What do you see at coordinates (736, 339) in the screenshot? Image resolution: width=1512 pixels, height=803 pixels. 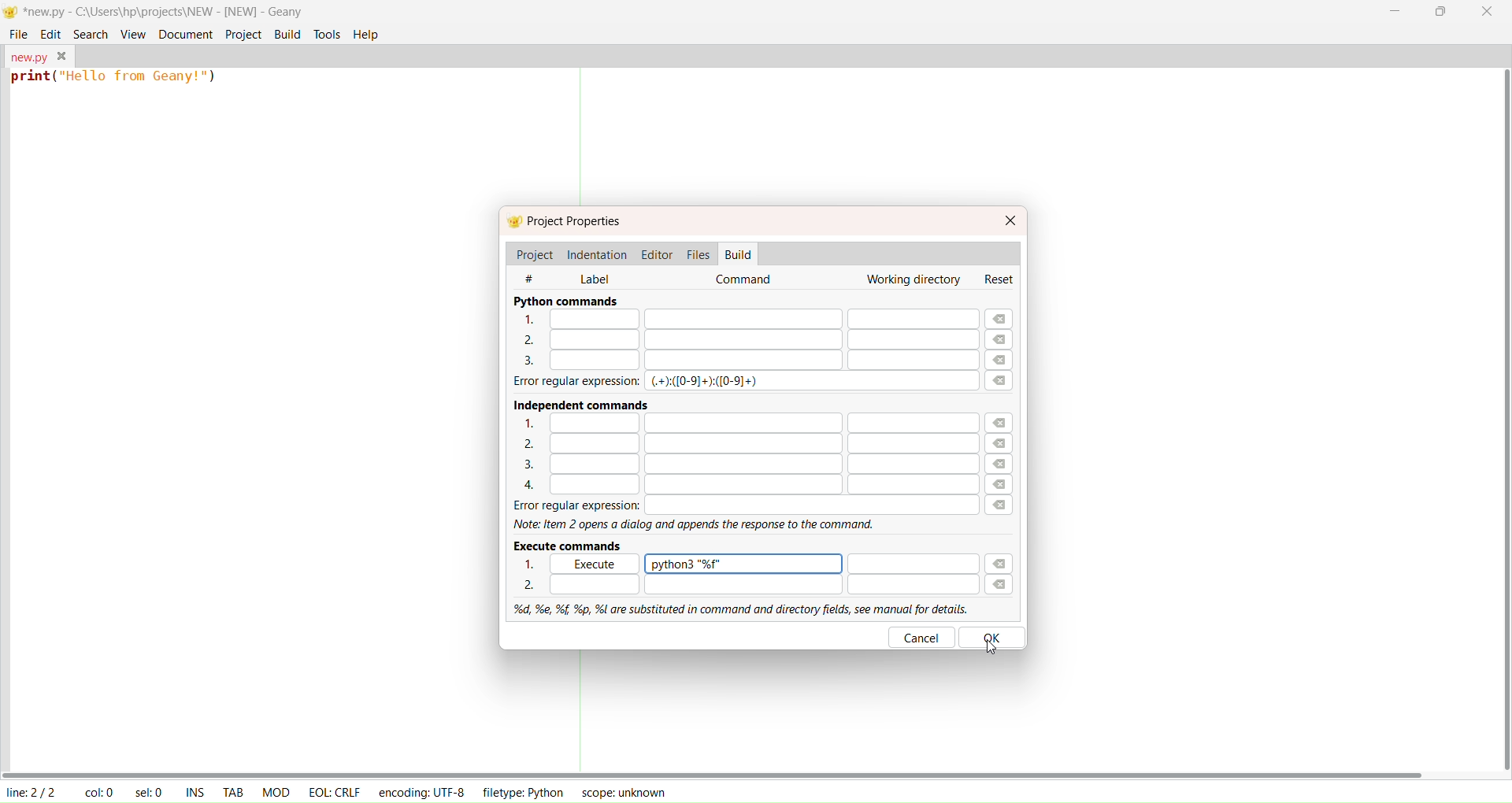 I see `2.` at bounding box center [736, 339].